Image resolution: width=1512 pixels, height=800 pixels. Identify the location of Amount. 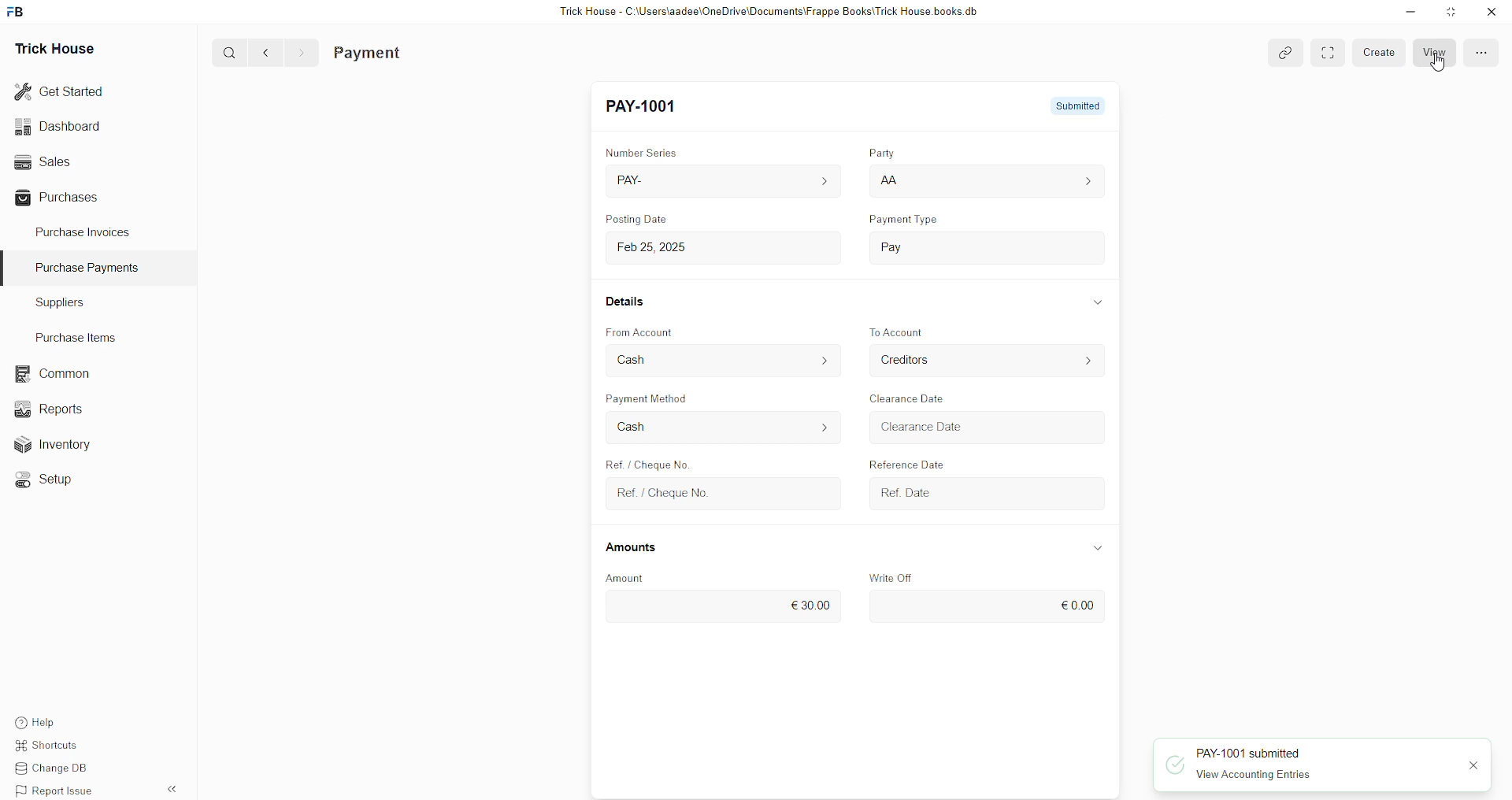
(642, 576).